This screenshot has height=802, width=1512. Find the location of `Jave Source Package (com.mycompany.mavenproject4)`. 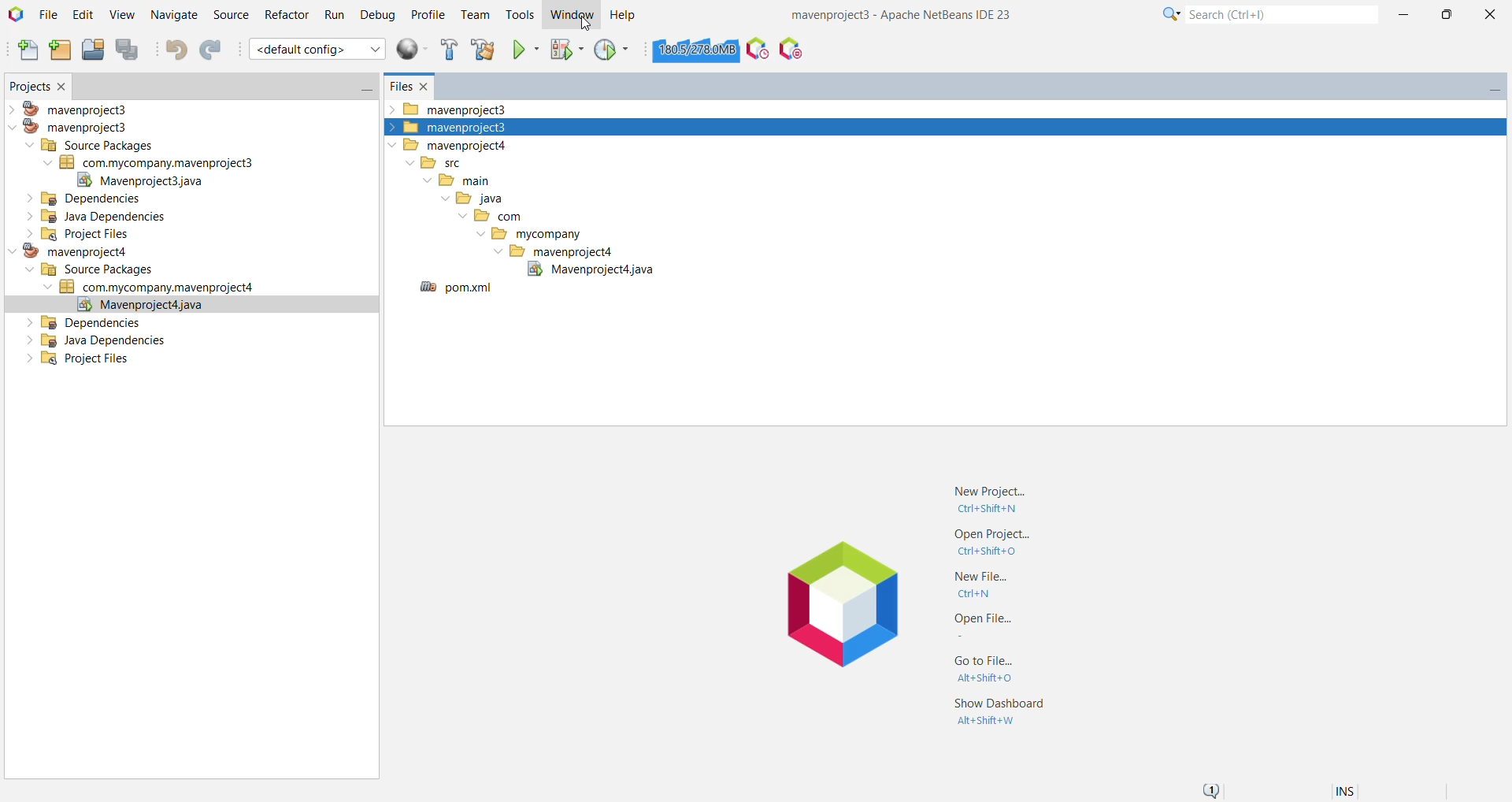

Jave Source Package (com.mycompany.mavenproject4) is located at coordinates (155, 287).